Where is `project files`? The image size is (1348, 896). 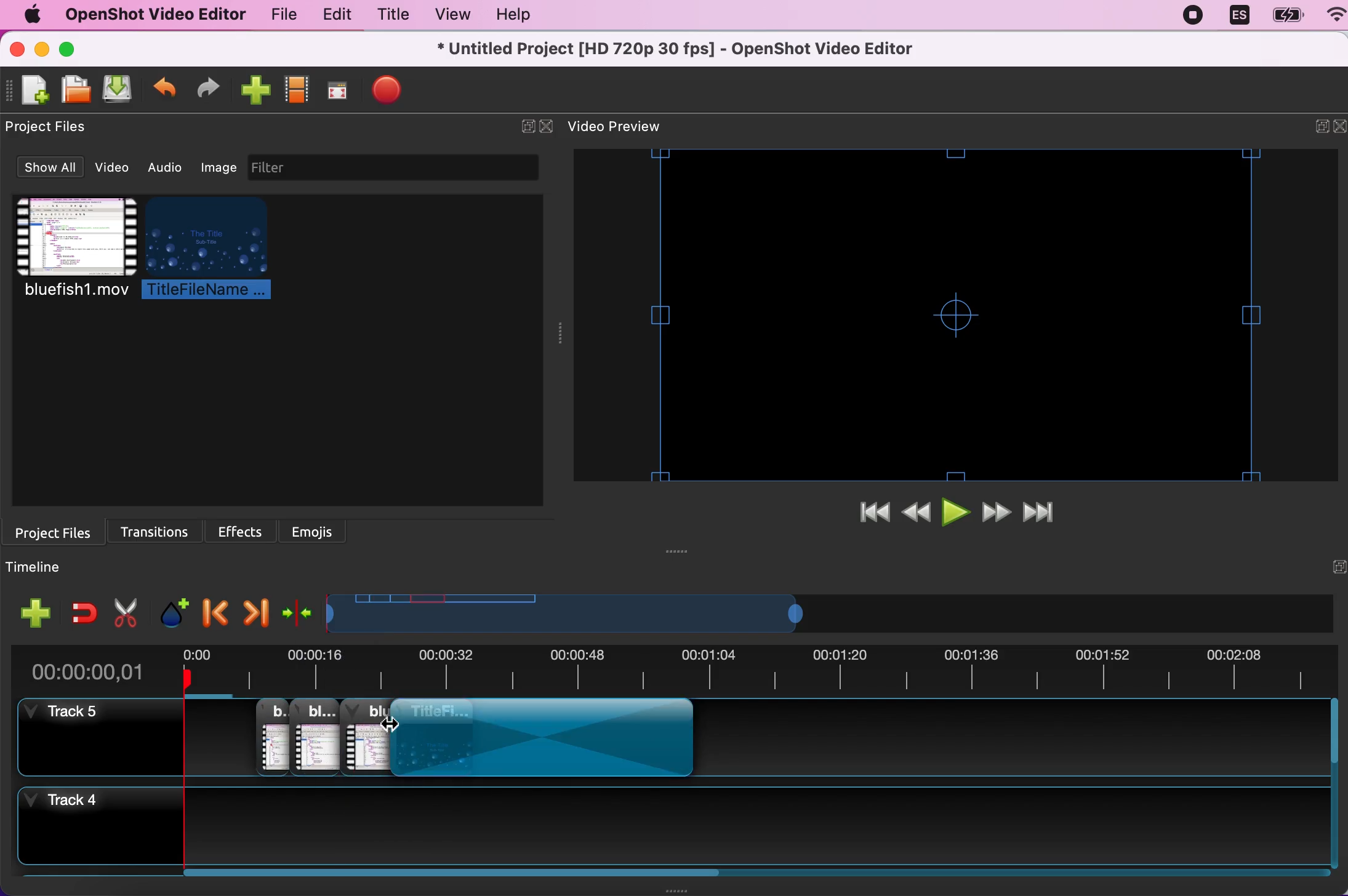 project files is located at coordinates (58, 531).